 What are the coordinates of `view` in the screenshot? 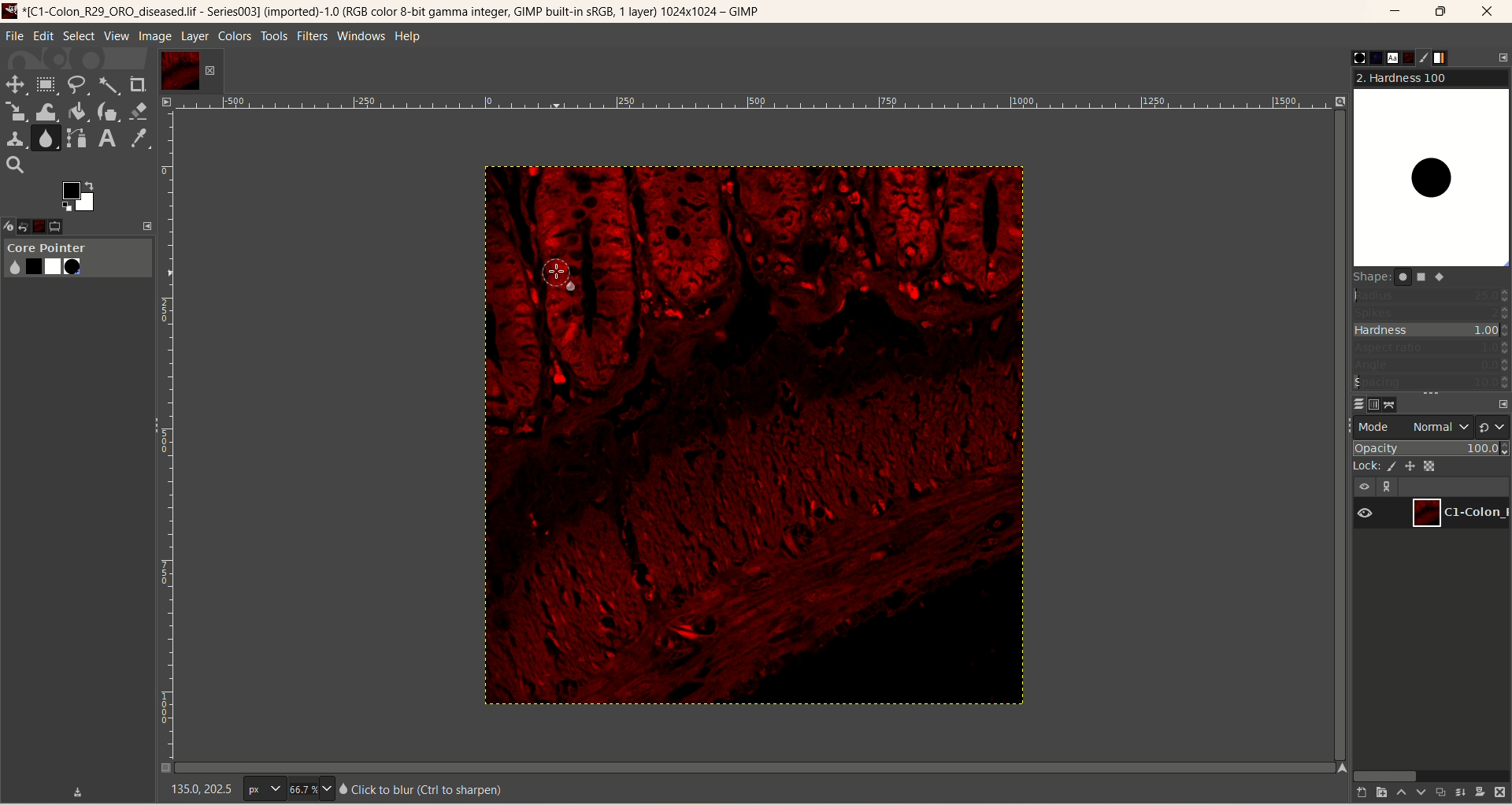 It's located at (116, 36).